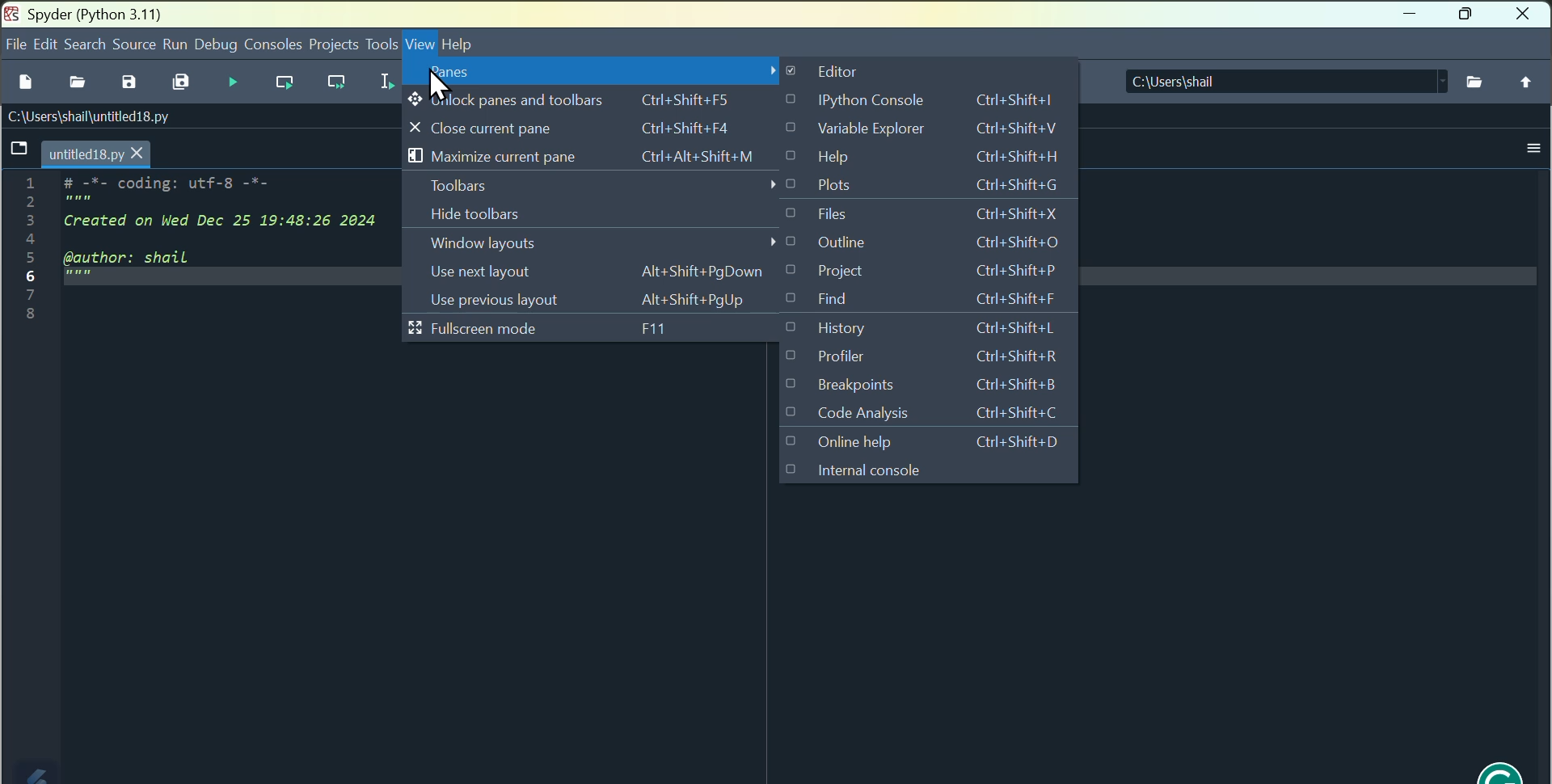  I want to click on More options, so click(1532, 150).